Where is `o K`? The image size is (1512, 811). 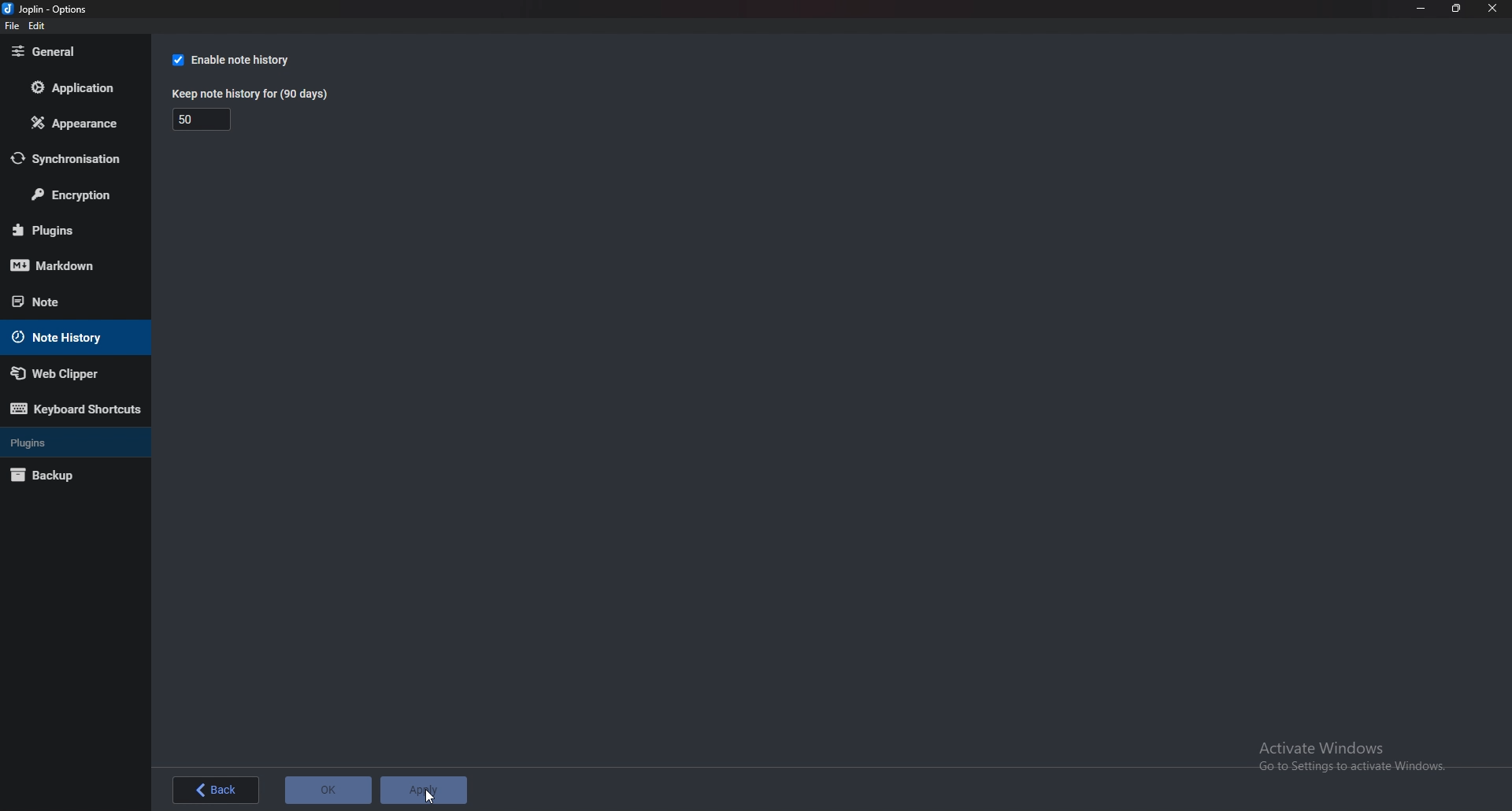 o K is located at coordinates (329, 789).